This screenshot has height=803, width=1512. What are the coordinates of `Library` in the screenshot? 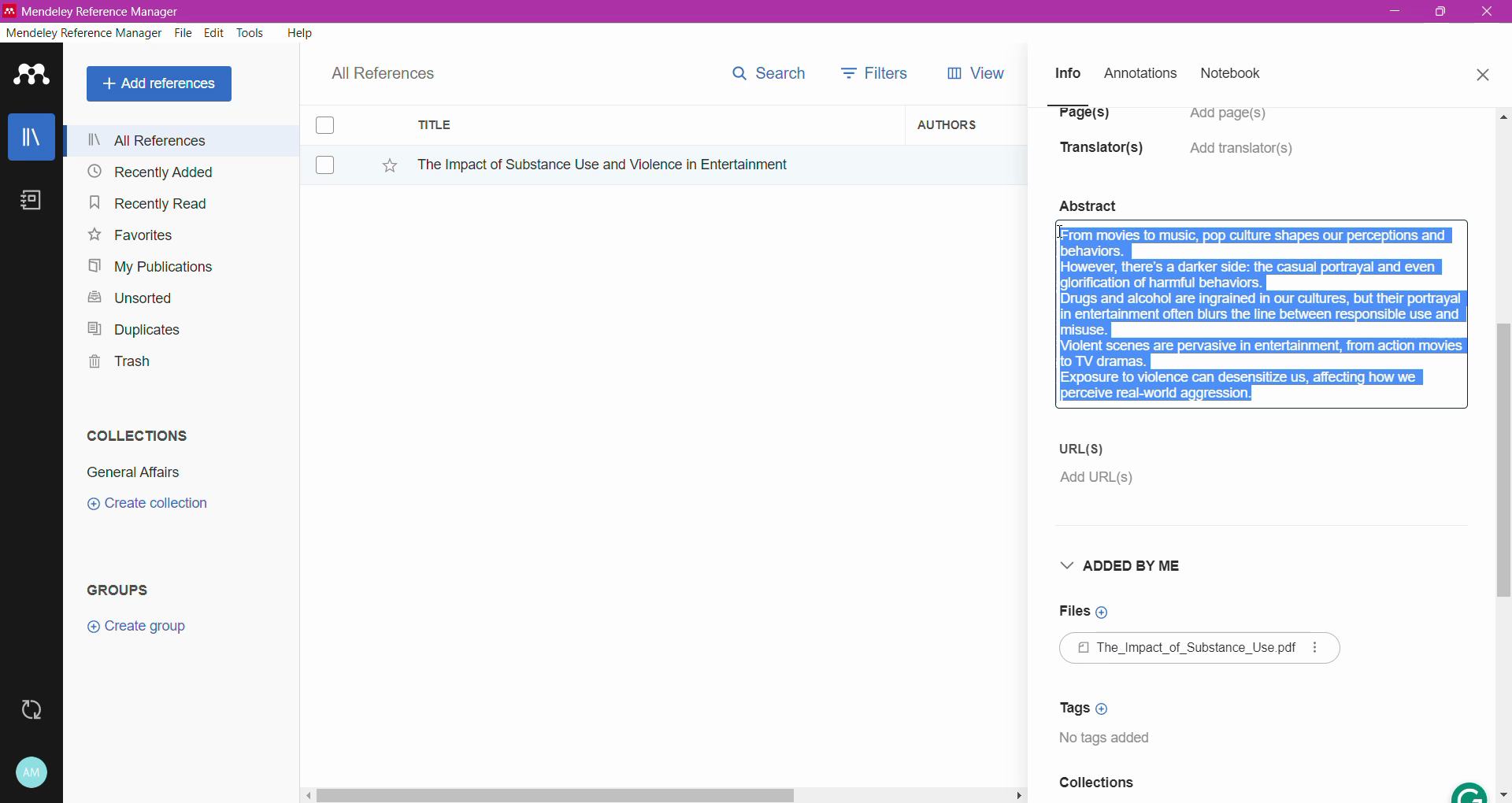 It's located at (31, 139).